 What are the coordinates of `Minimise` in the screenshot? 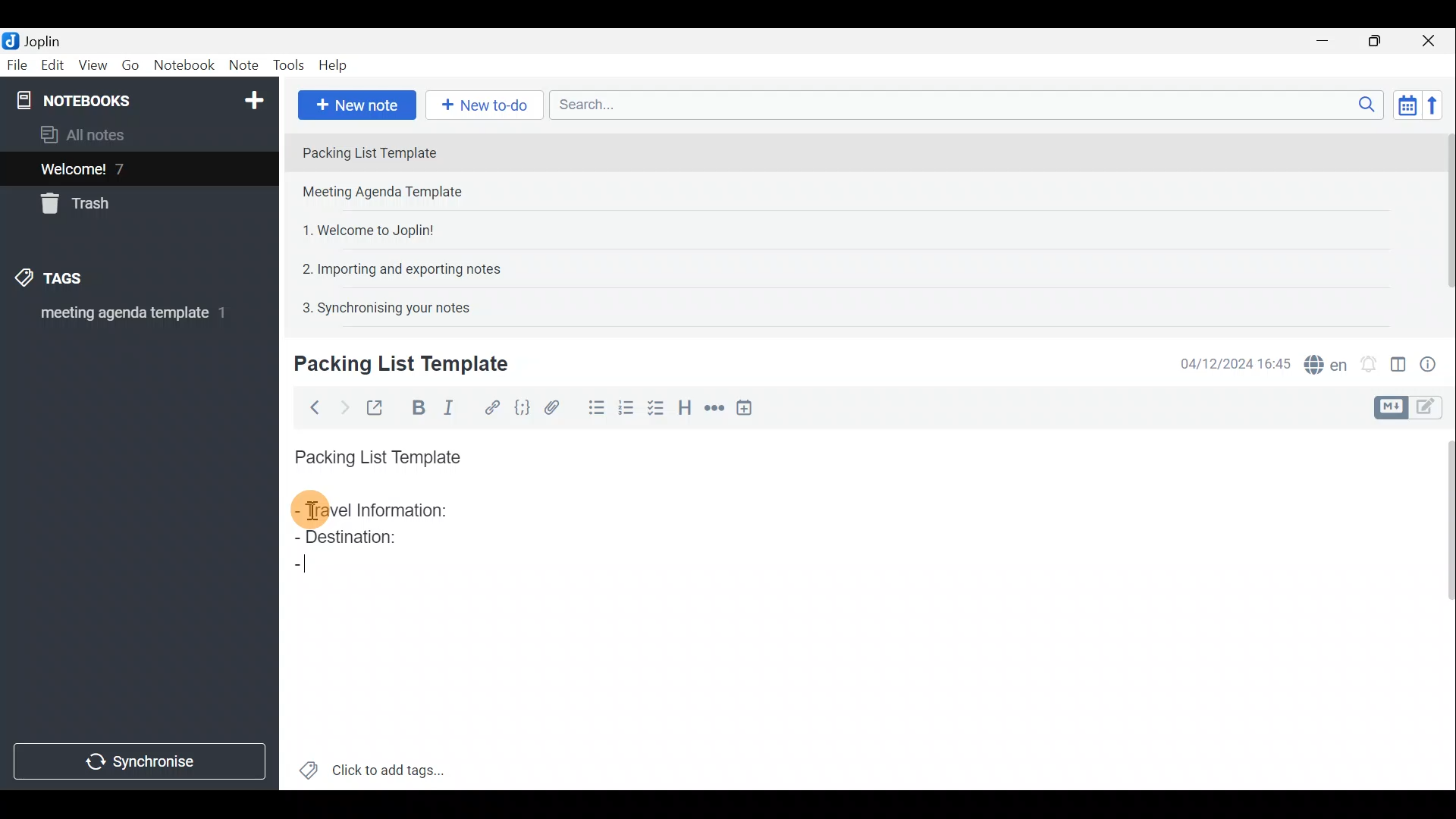 It's located at (1330, 43).